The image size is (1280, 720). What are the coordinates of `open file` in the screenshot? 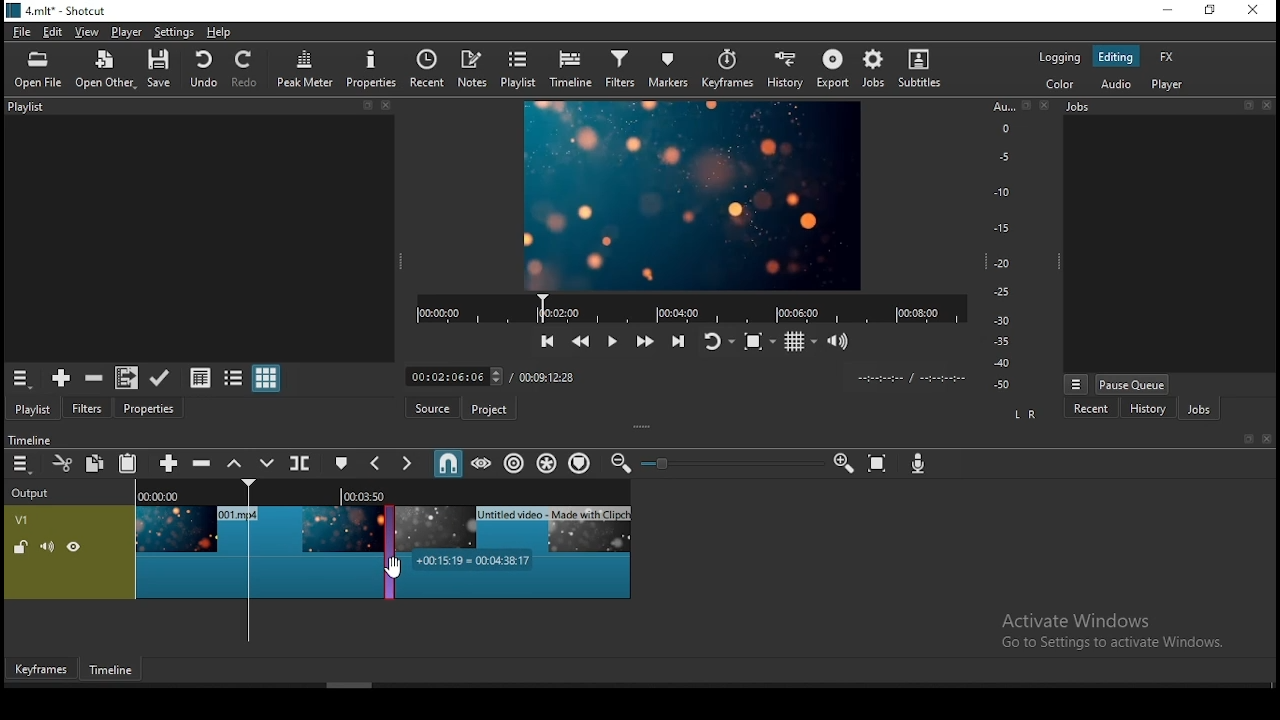 It's located at (37, 70).